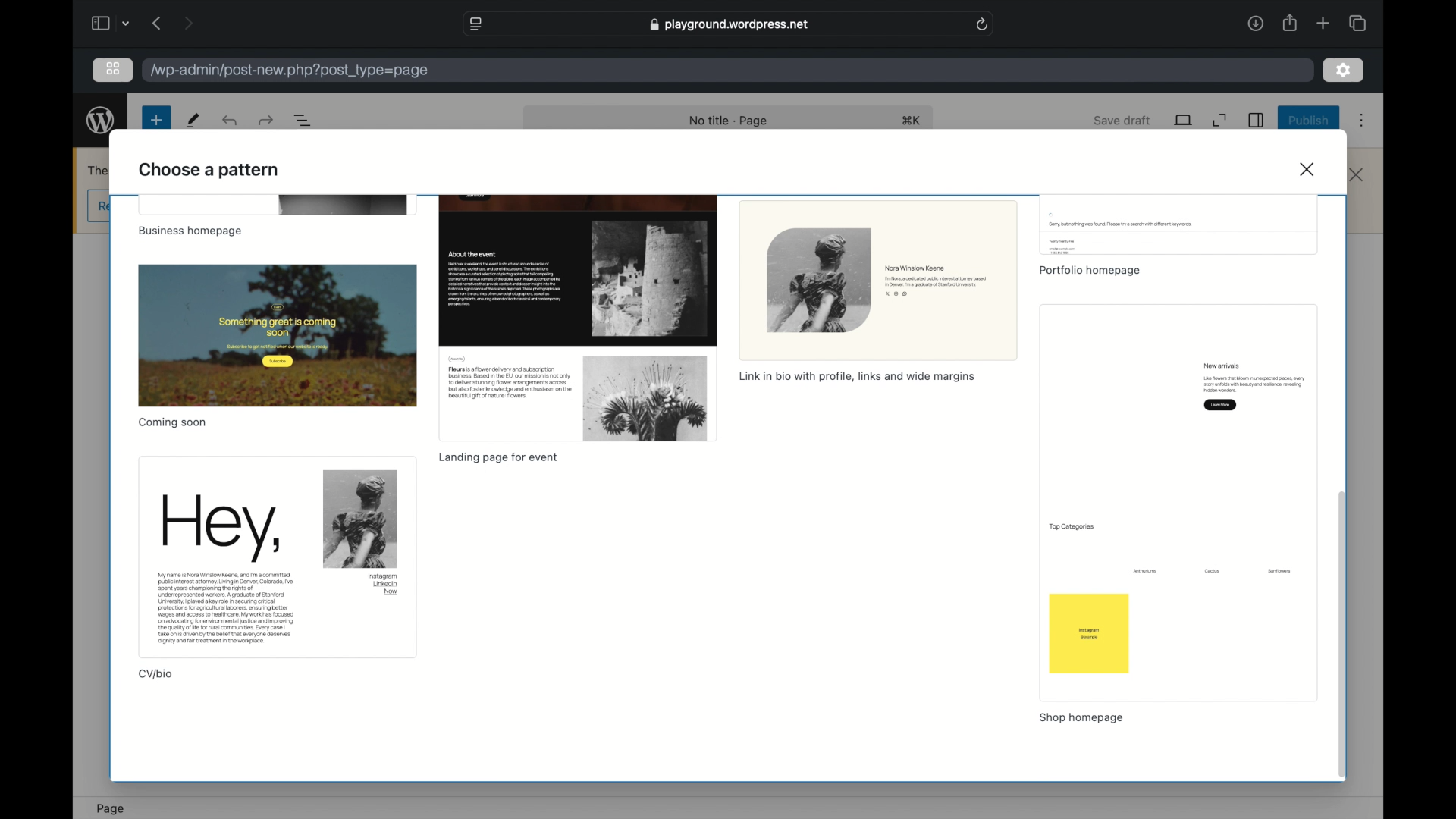 The image size is (1456, 819). I want to click on shop homepage, so click(1081, 717).